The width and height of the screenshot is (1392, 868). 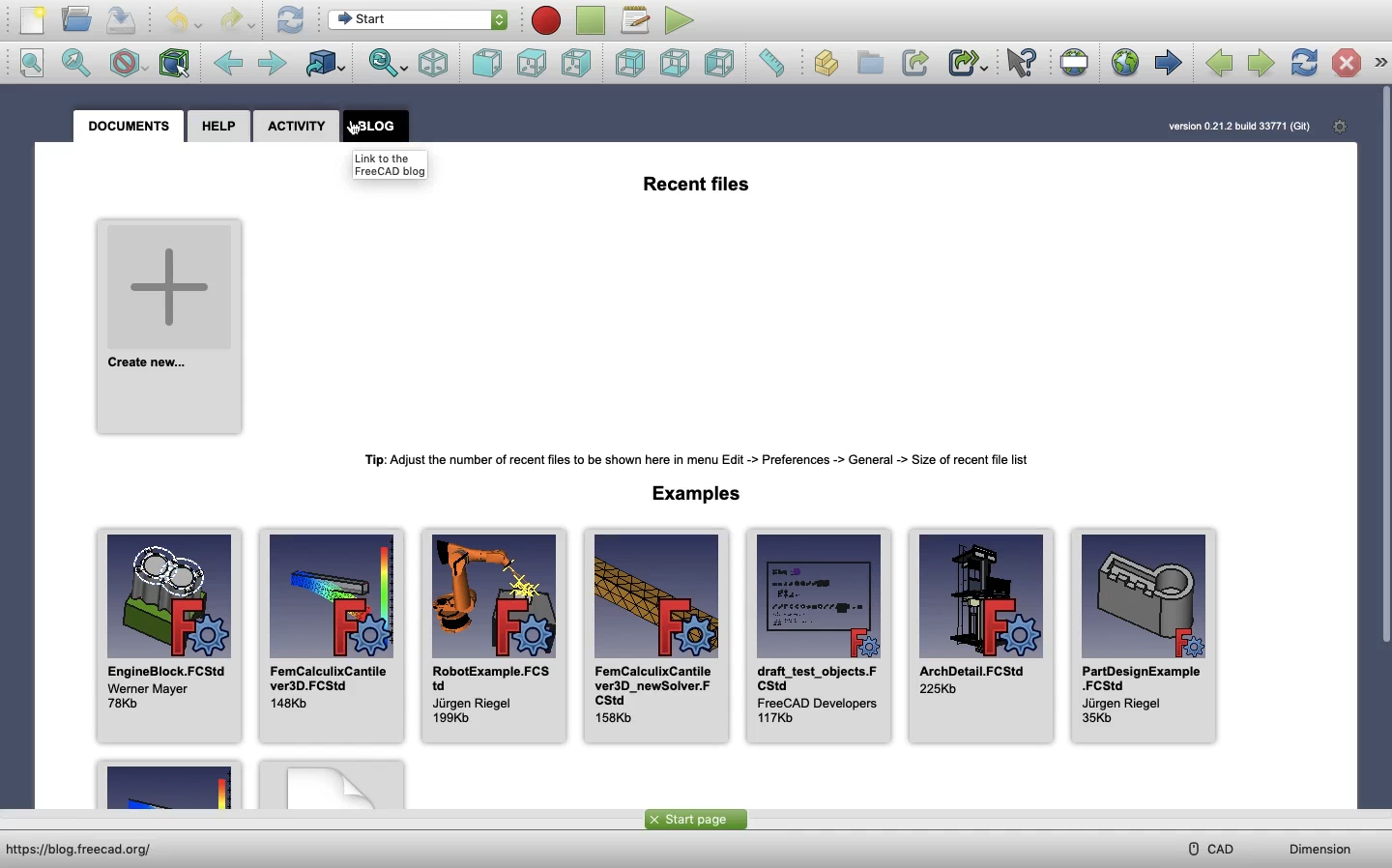 I want to click on Measure, so click(x=774, y=63).